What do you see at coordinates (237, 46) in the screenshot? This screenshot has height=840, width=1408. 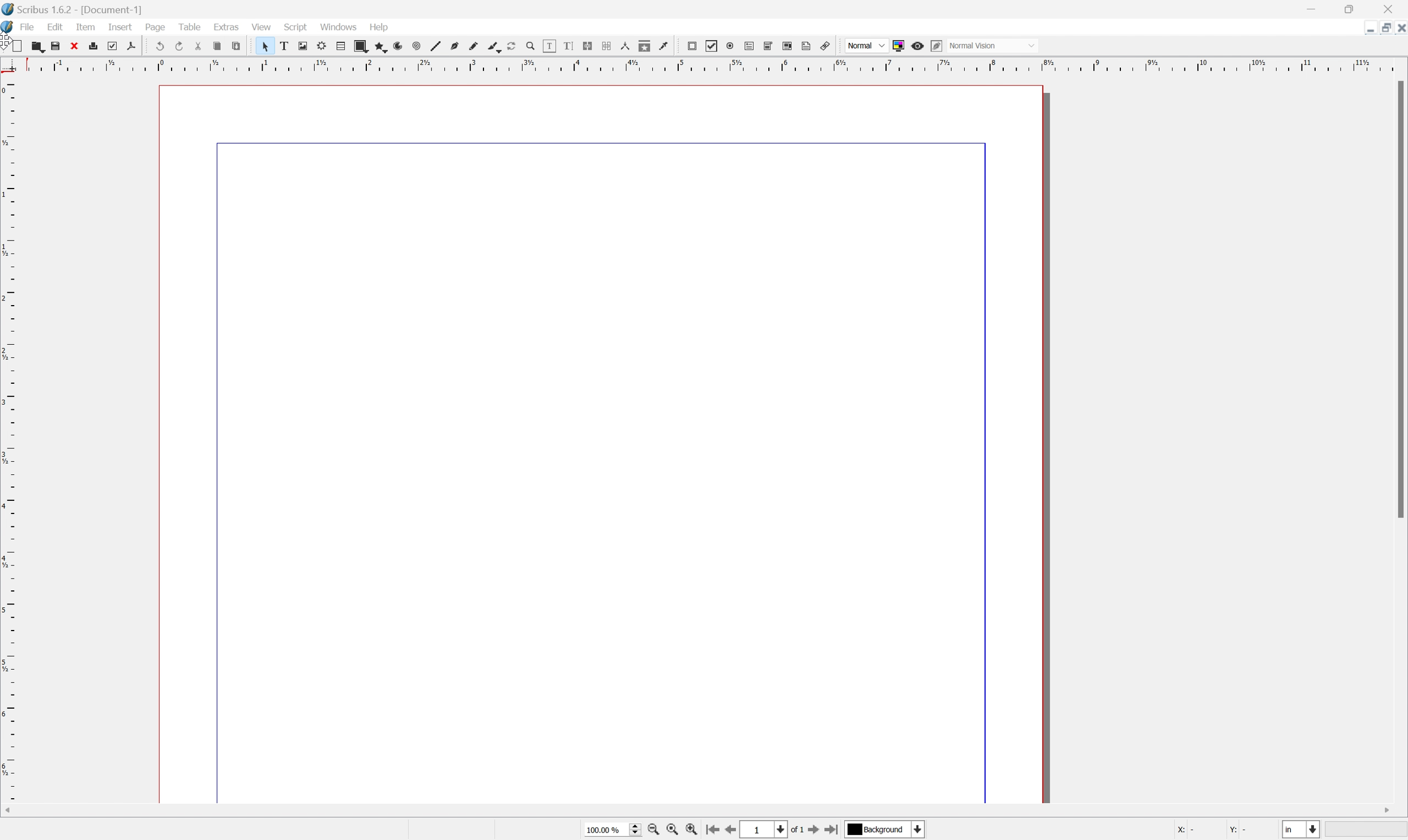 I see `preflight verifier` at bounding box center [237, 46].